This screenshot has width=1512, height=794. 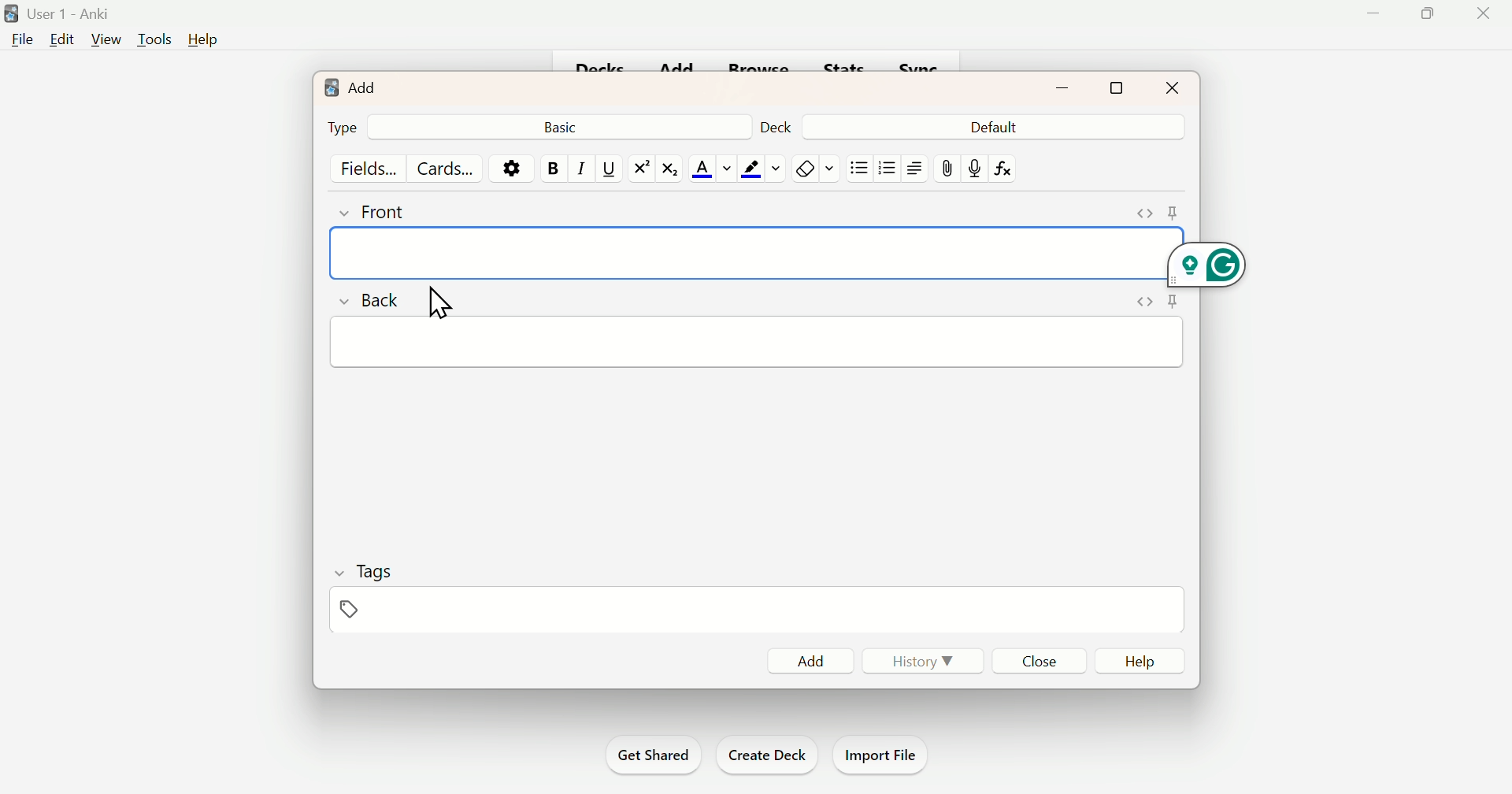 What do you see at coordinates (580, 167) in the screenshot?
I see `Italiac` at bounding box center [580, 167].